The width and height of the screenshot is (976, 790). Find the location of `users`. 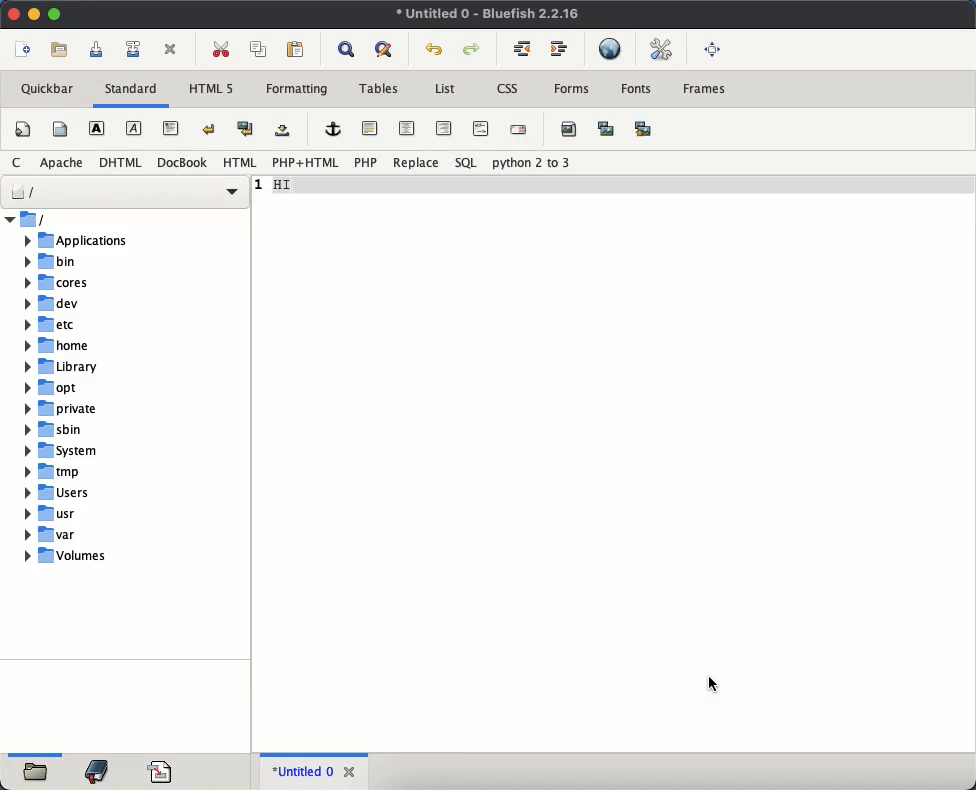

users is located at coordinates (103, 493).